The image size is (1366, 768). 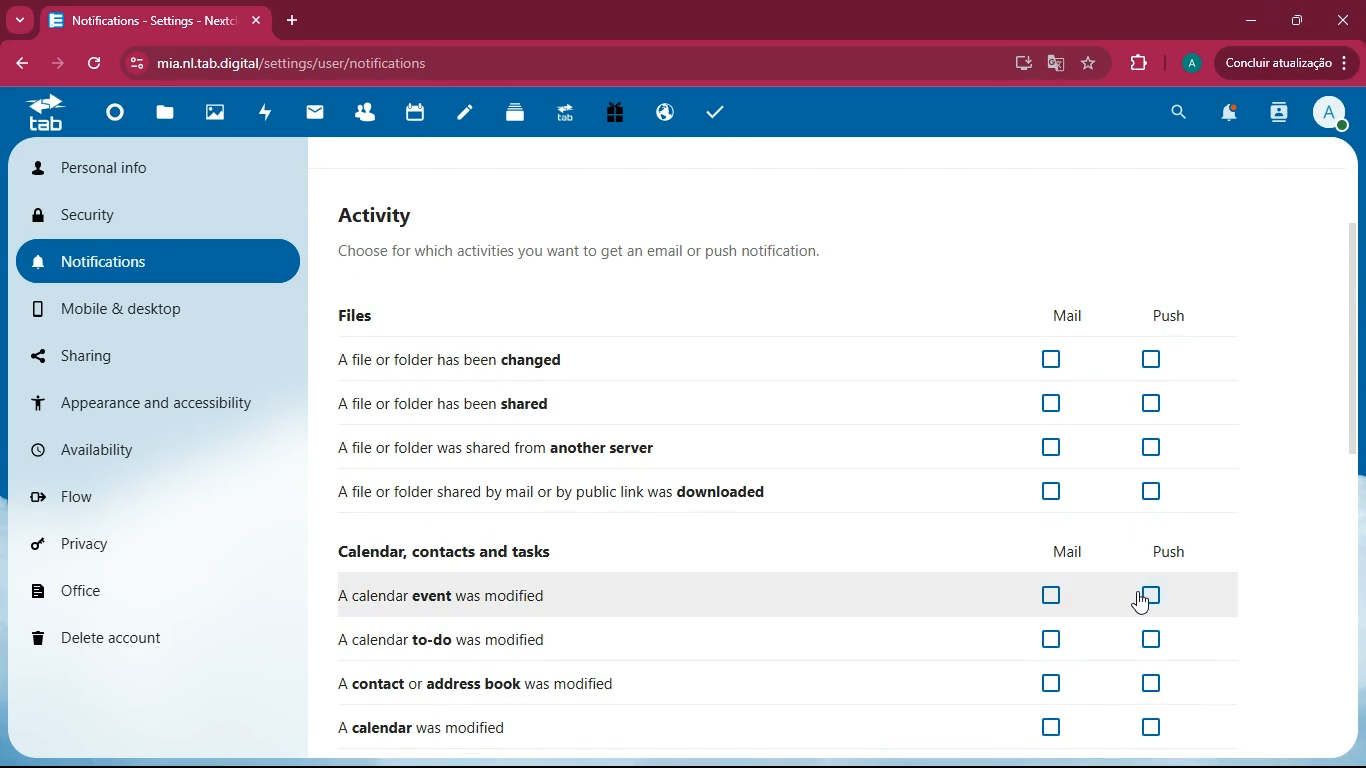 What do you see at coordinates (156, 401) in the screenshot?
I see `appearance and accessibility` at bounding box center [156, 401].